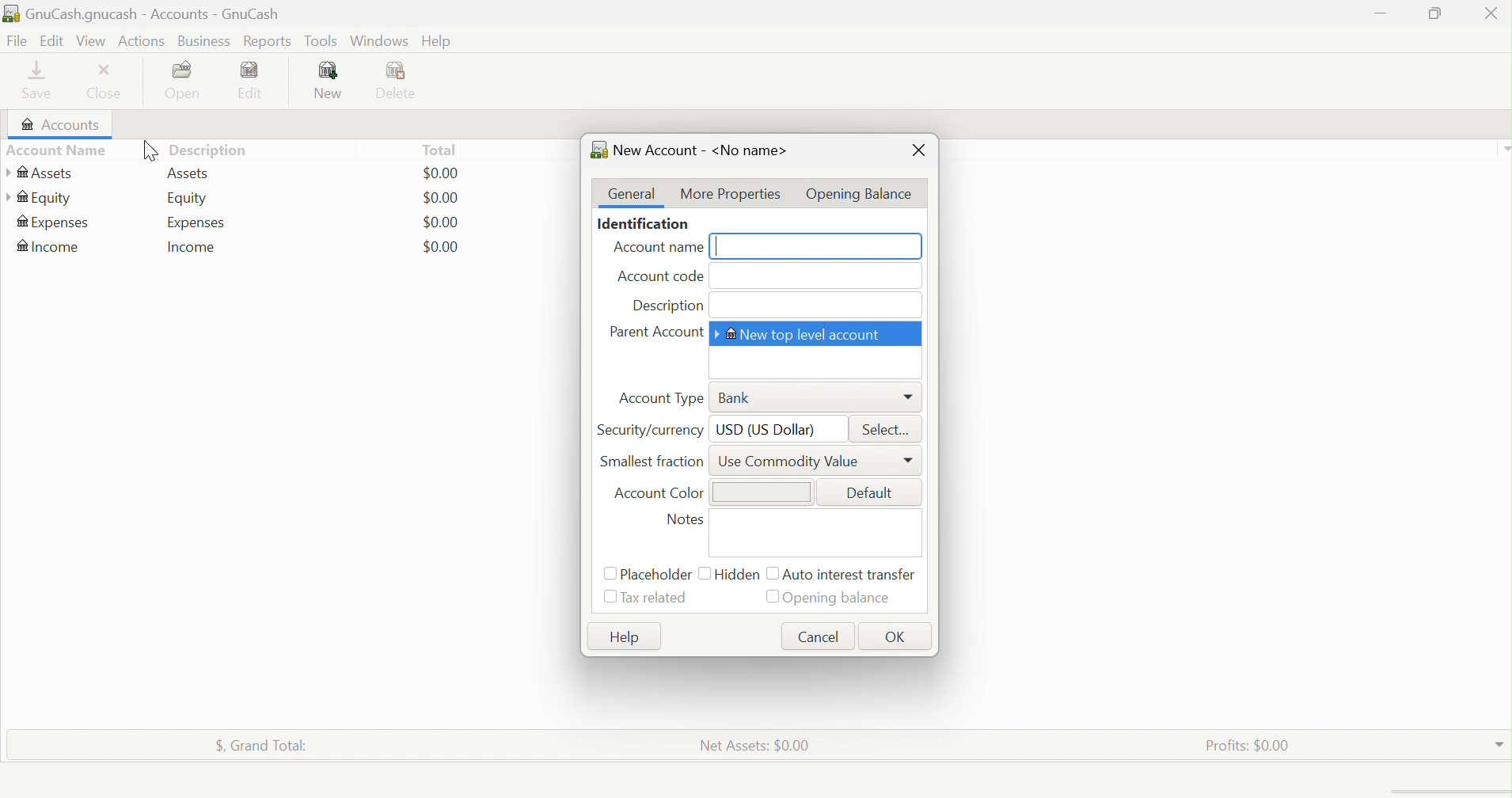 Image resolution: width=1512 pixels, height=798 pixels. What do you see at coordinates (890, 429) in the screenshot?
I see `Select...` at bounding box center [890, 429].